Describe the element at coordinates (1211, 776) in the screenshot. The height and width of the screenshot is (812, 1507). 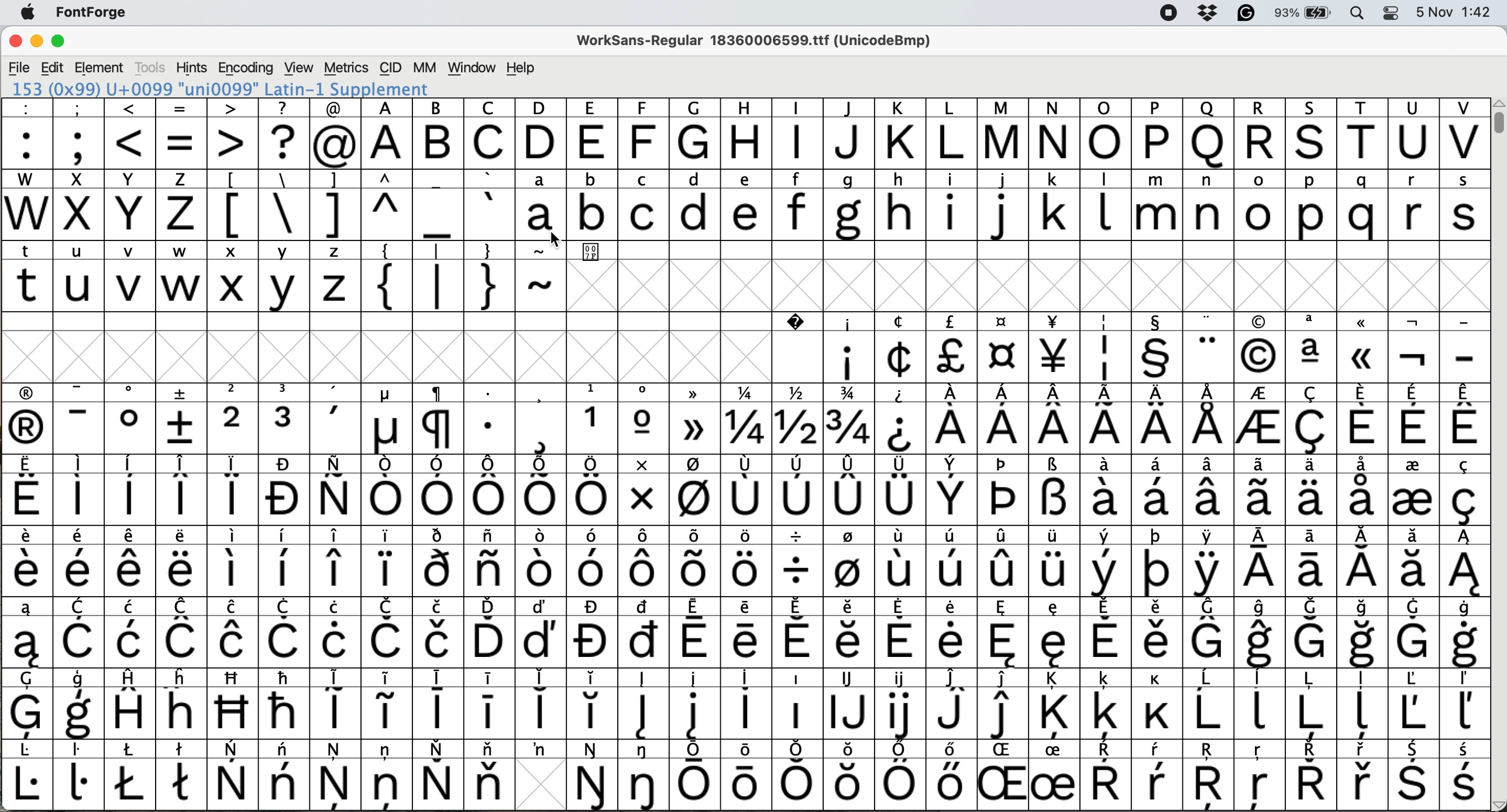
I see `` at that location.